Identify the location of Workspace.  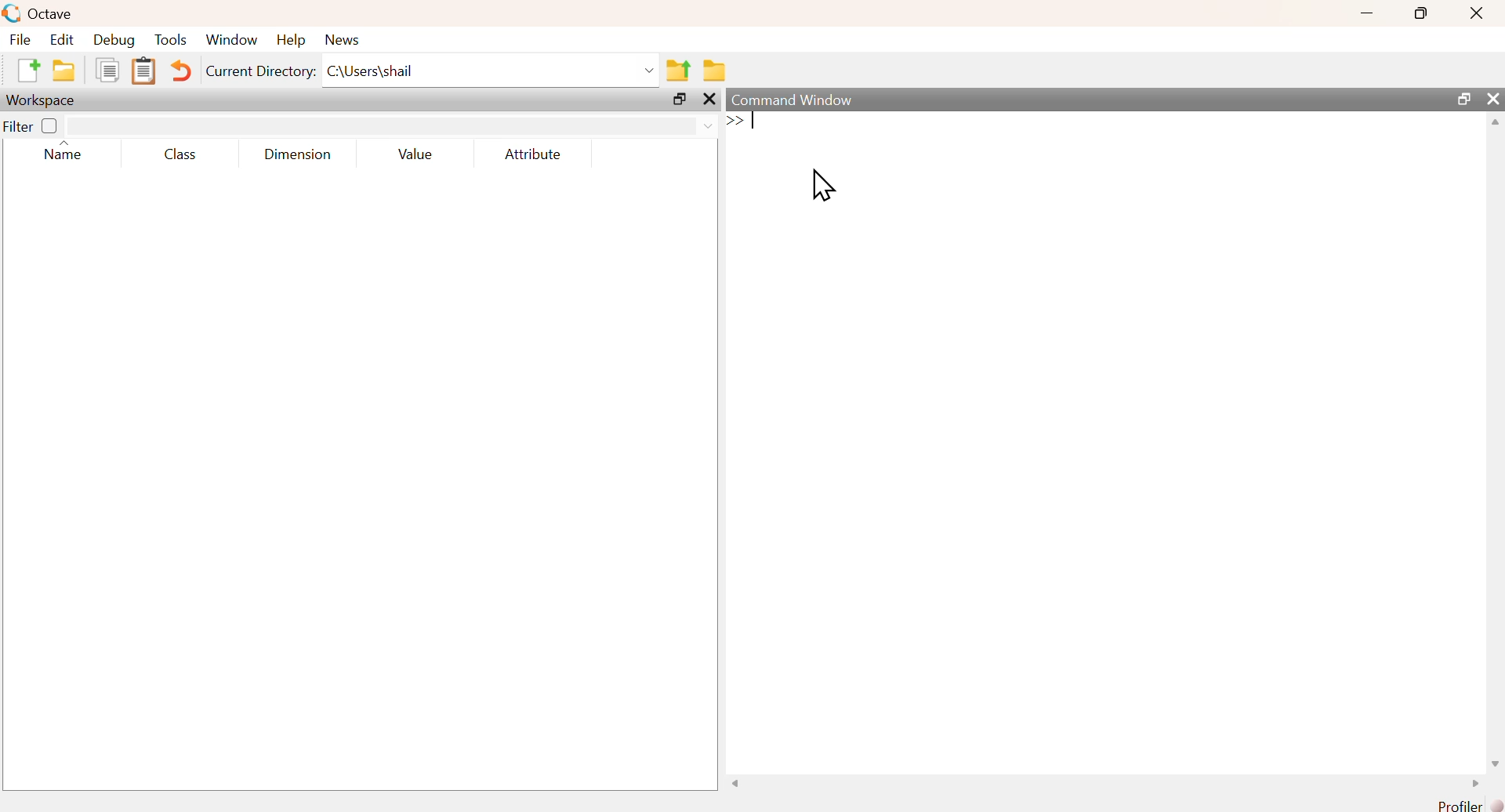
(44, 100).